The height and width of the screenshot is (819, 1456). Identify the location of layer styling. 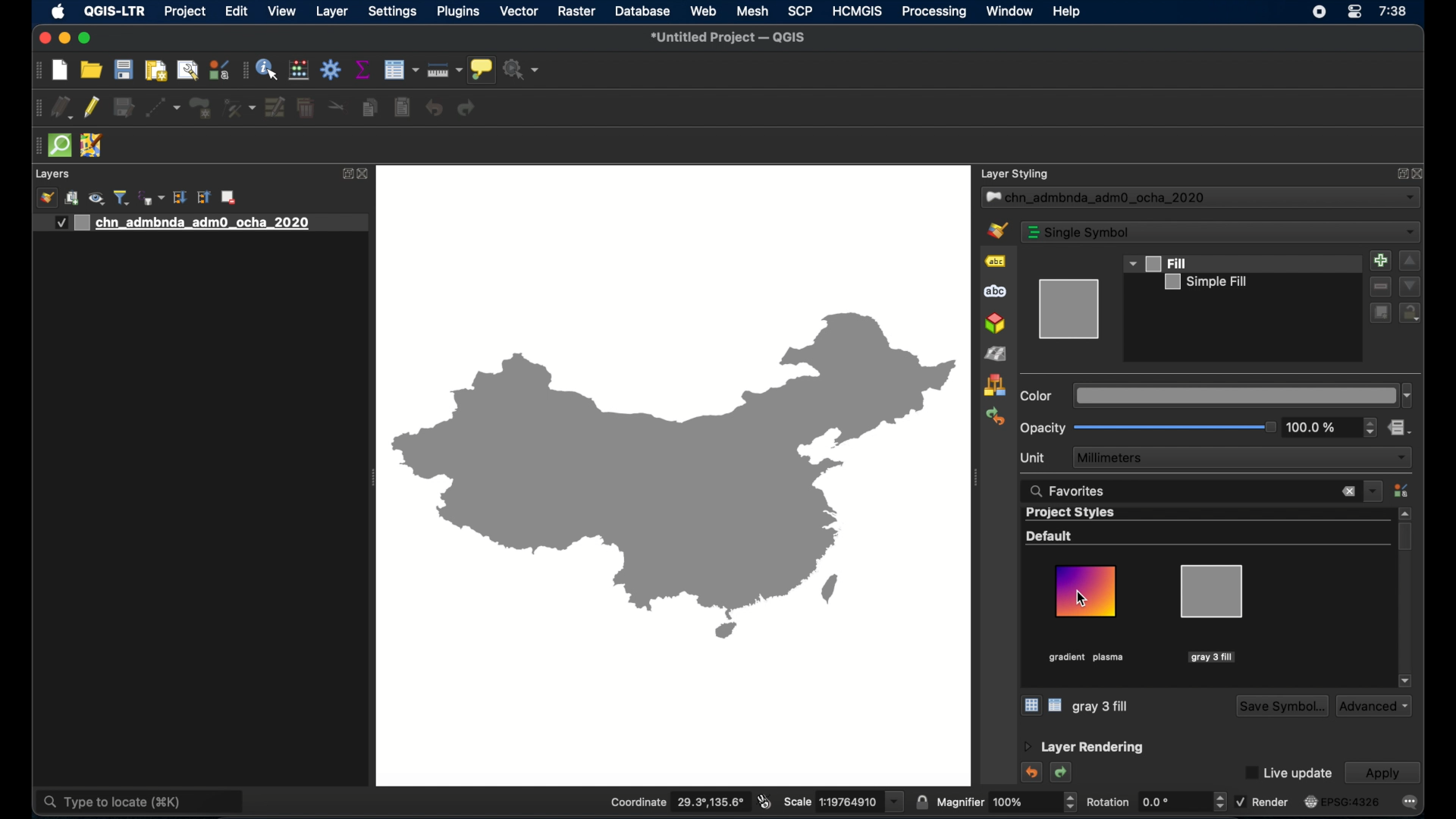
(1015, 174).